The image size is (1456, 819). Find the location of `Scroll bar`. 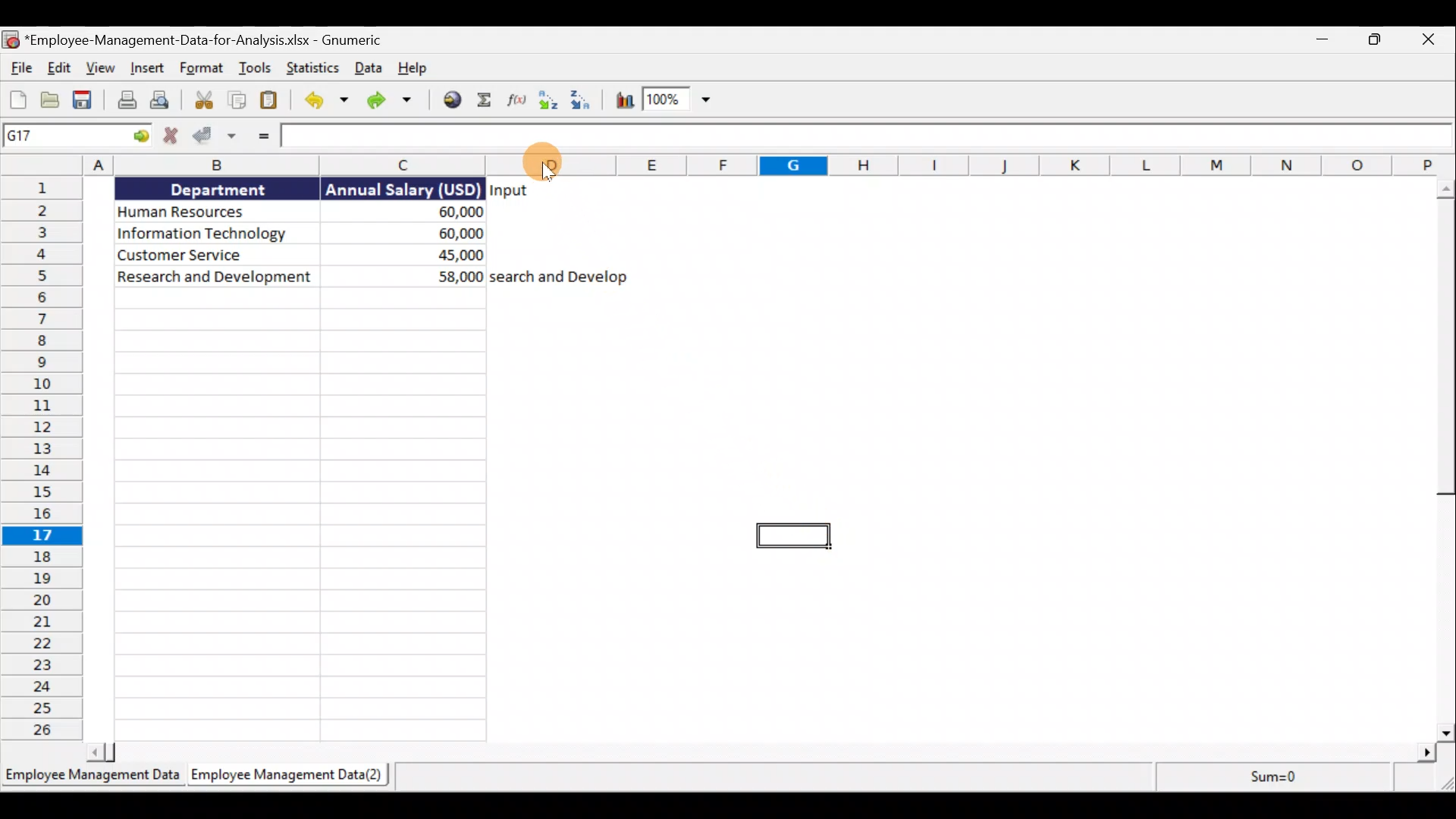

Scroll bar is located at coordinates (765, 750).